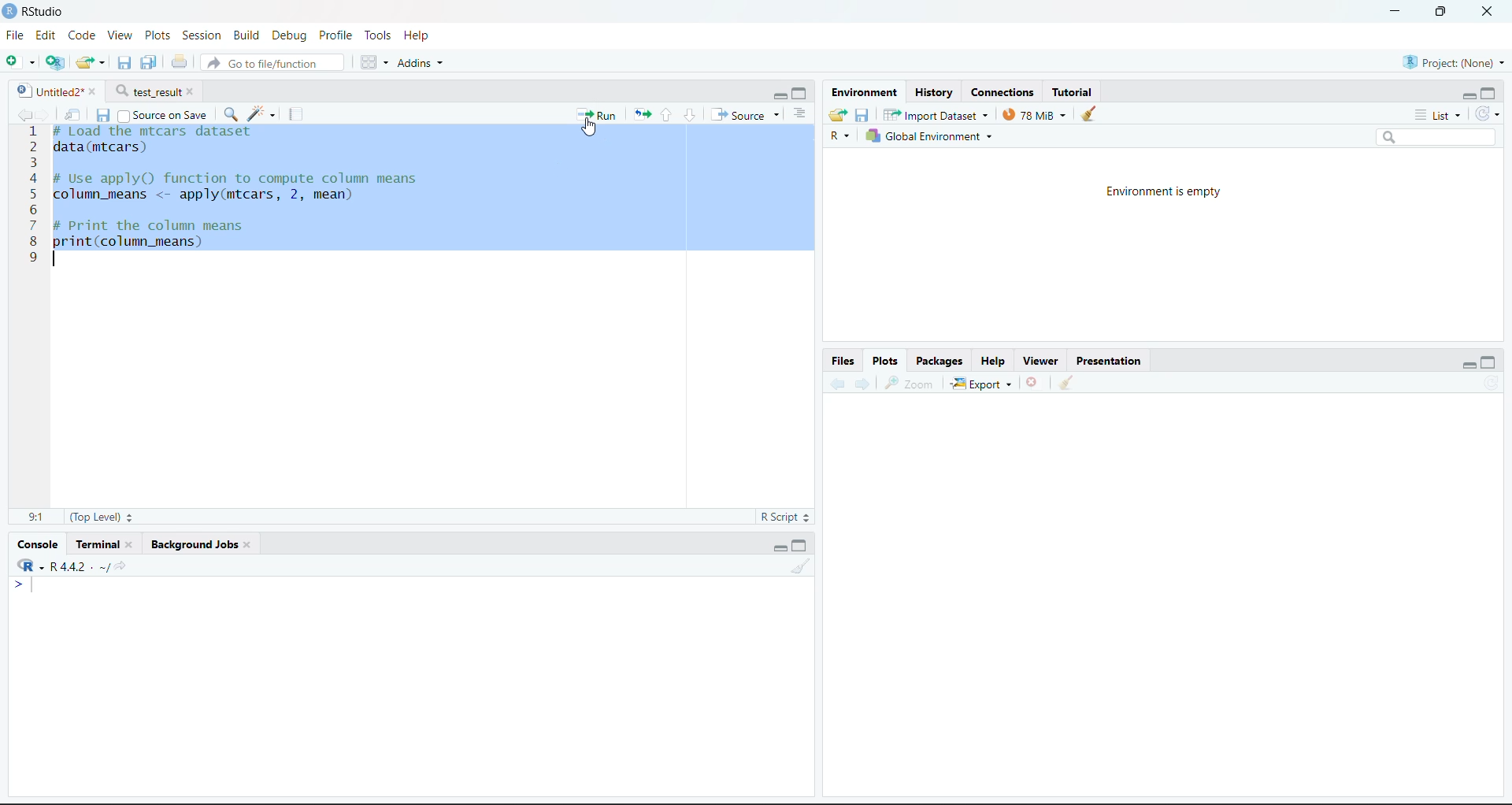 The width and height of the screenshot is (1512, 805). What do you see at coordinates (1490, 359) in the screenshot?
I see `Maximize` at bounding box center [1490, 359].